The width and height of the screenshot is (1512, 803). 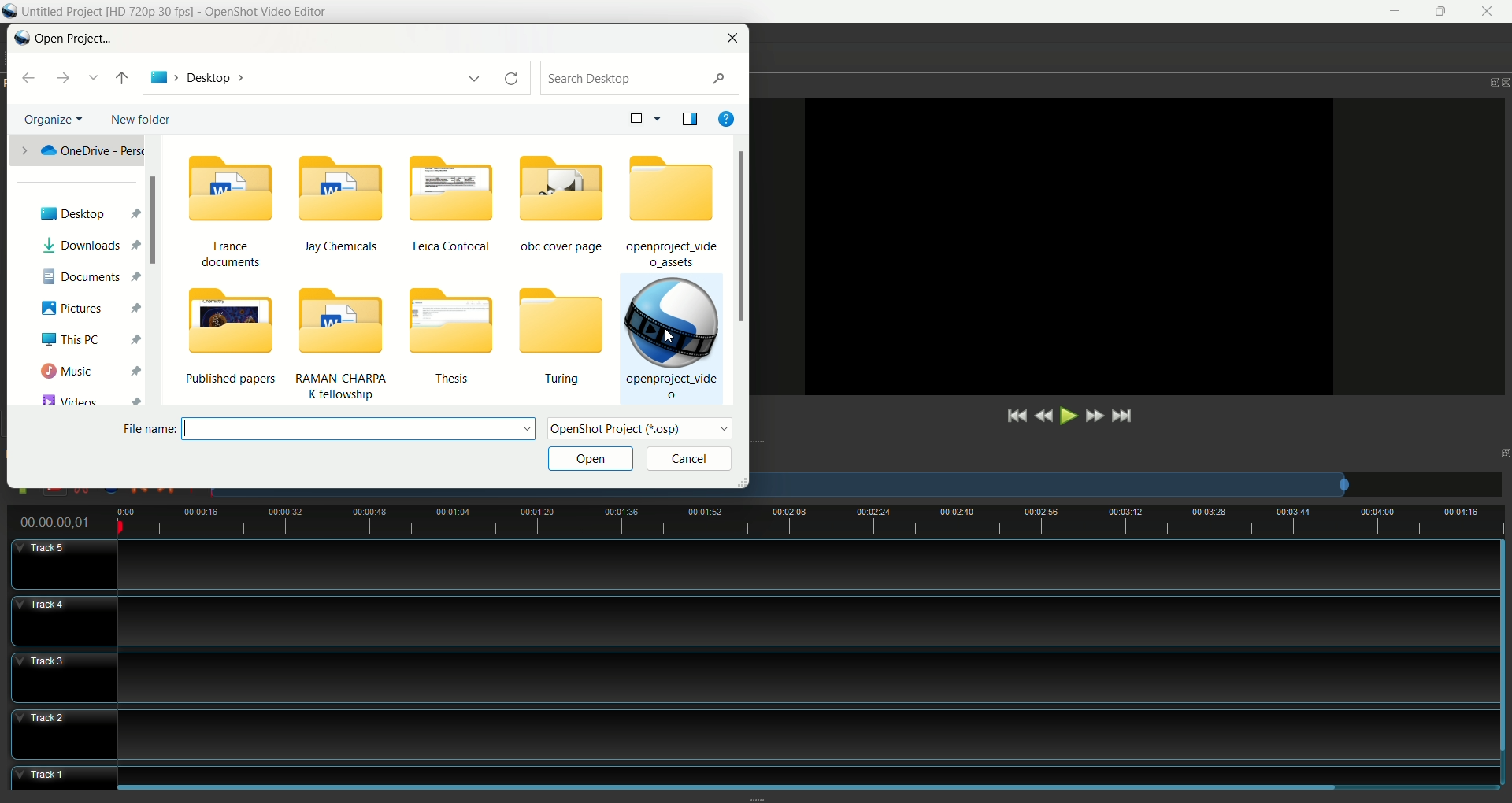 What do you see at coordinates (1014, 417) in the screenshot?
I see `jump to start` at bounding box center [1014, 417].